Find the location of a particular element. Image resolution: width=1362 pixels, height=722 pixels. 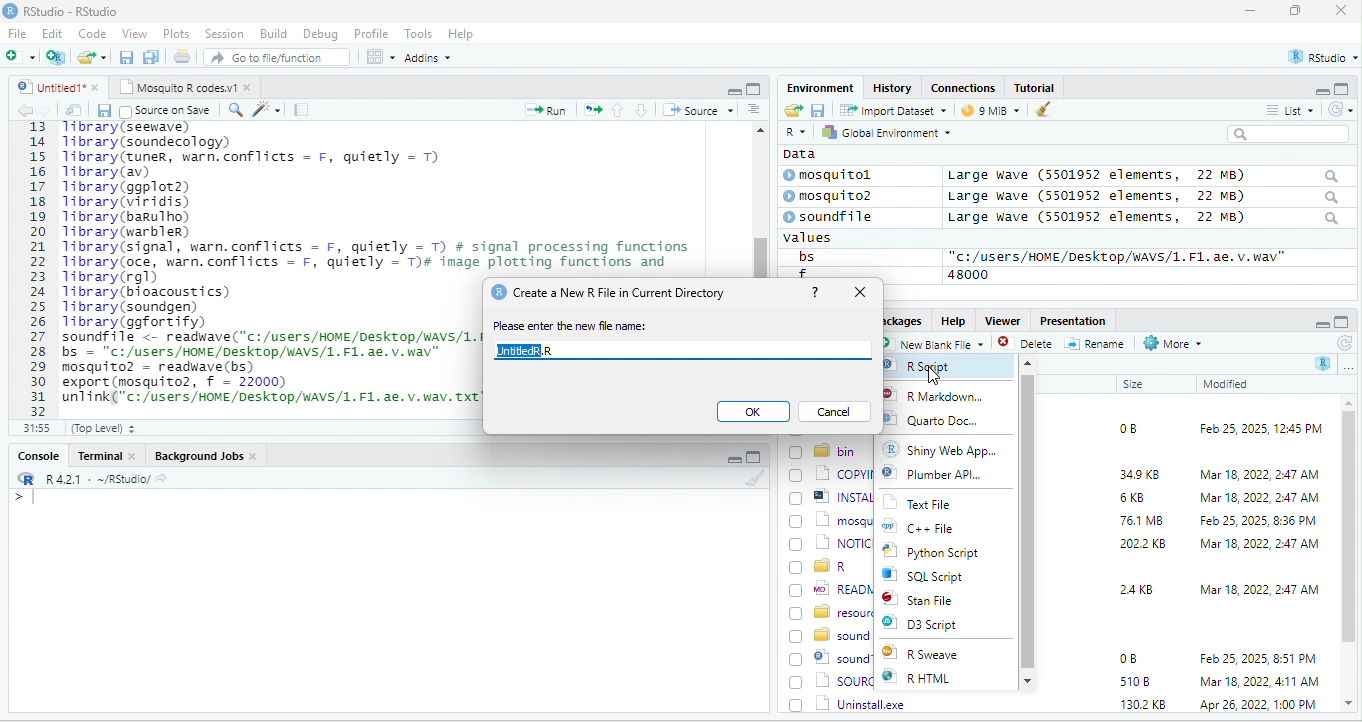

5108 is located at coordinates (1130, 680).